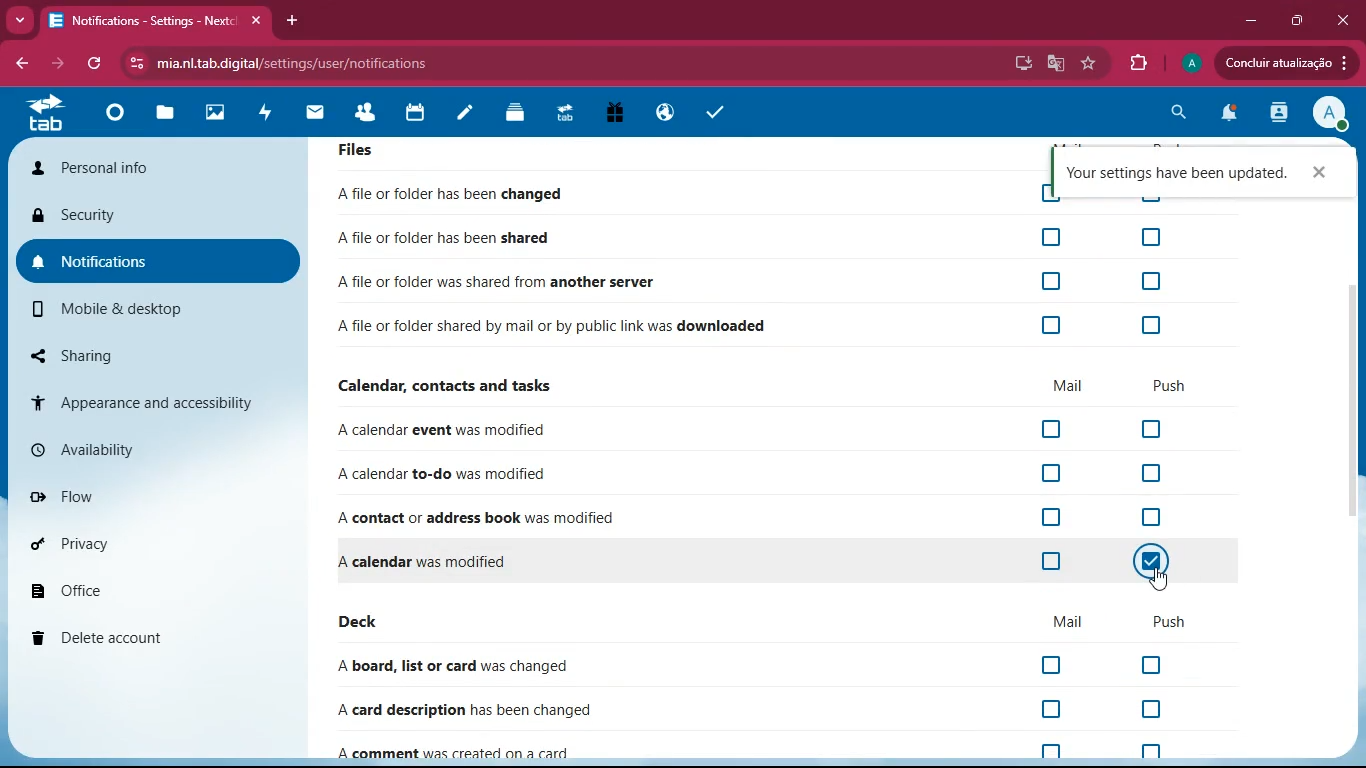 The height and width of the screenshot is (768, 1366). I want to click on mail, so click(1065, 387).